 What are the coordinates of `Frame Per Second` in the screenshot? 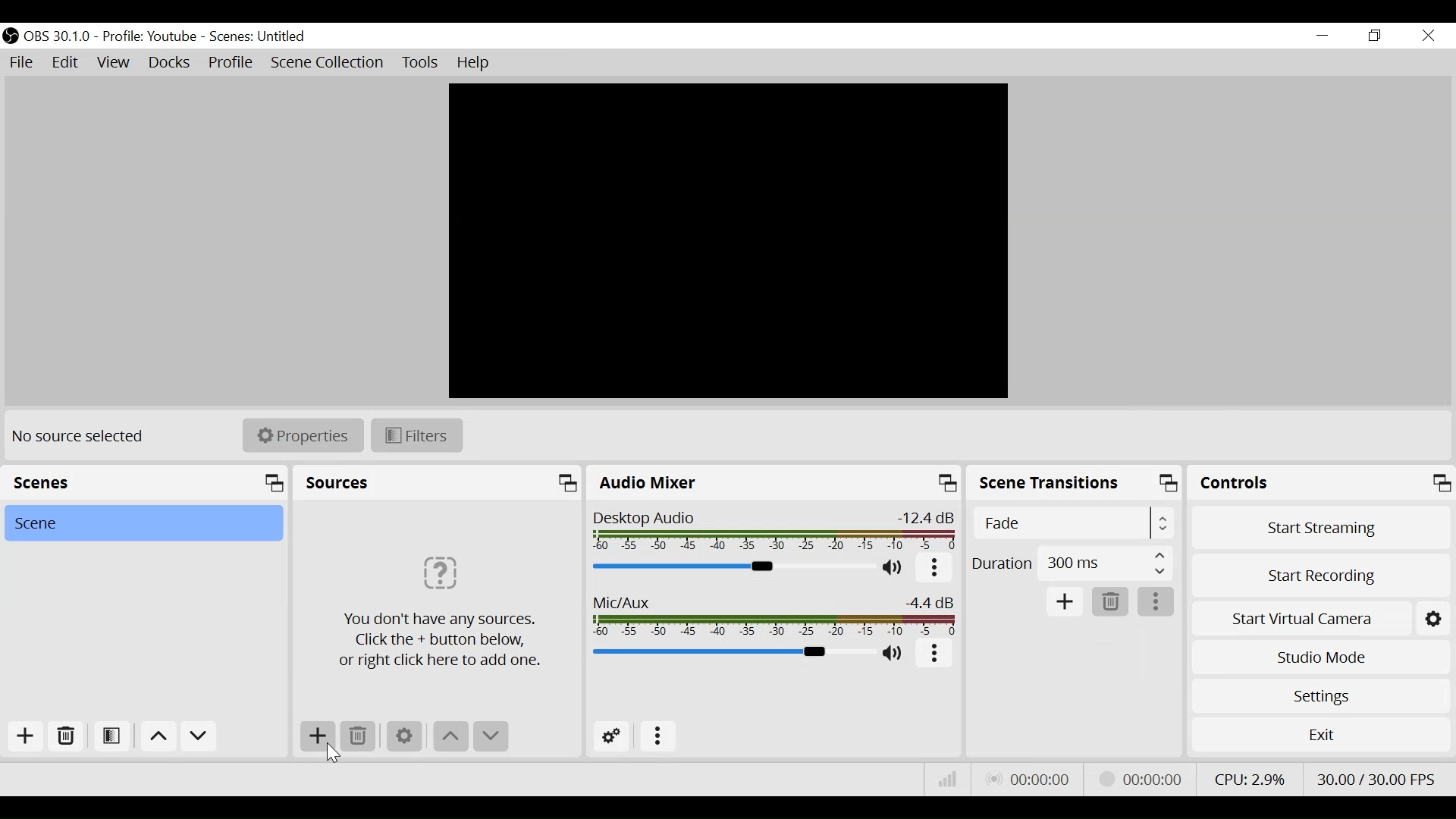 It's located at (1376, 777).